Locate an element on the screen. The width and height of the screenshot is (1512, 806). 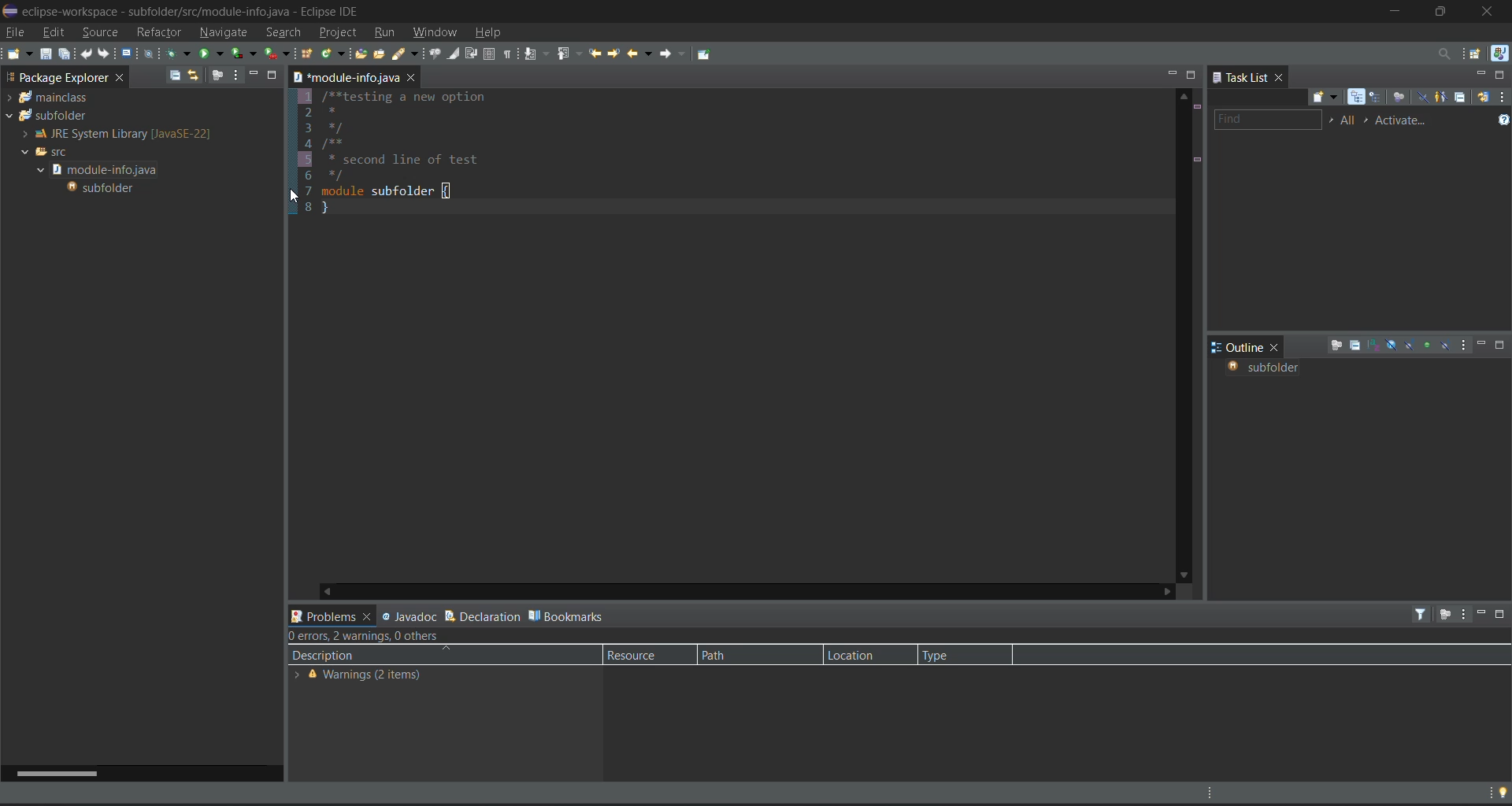
src is located at coordinates (47, 151).